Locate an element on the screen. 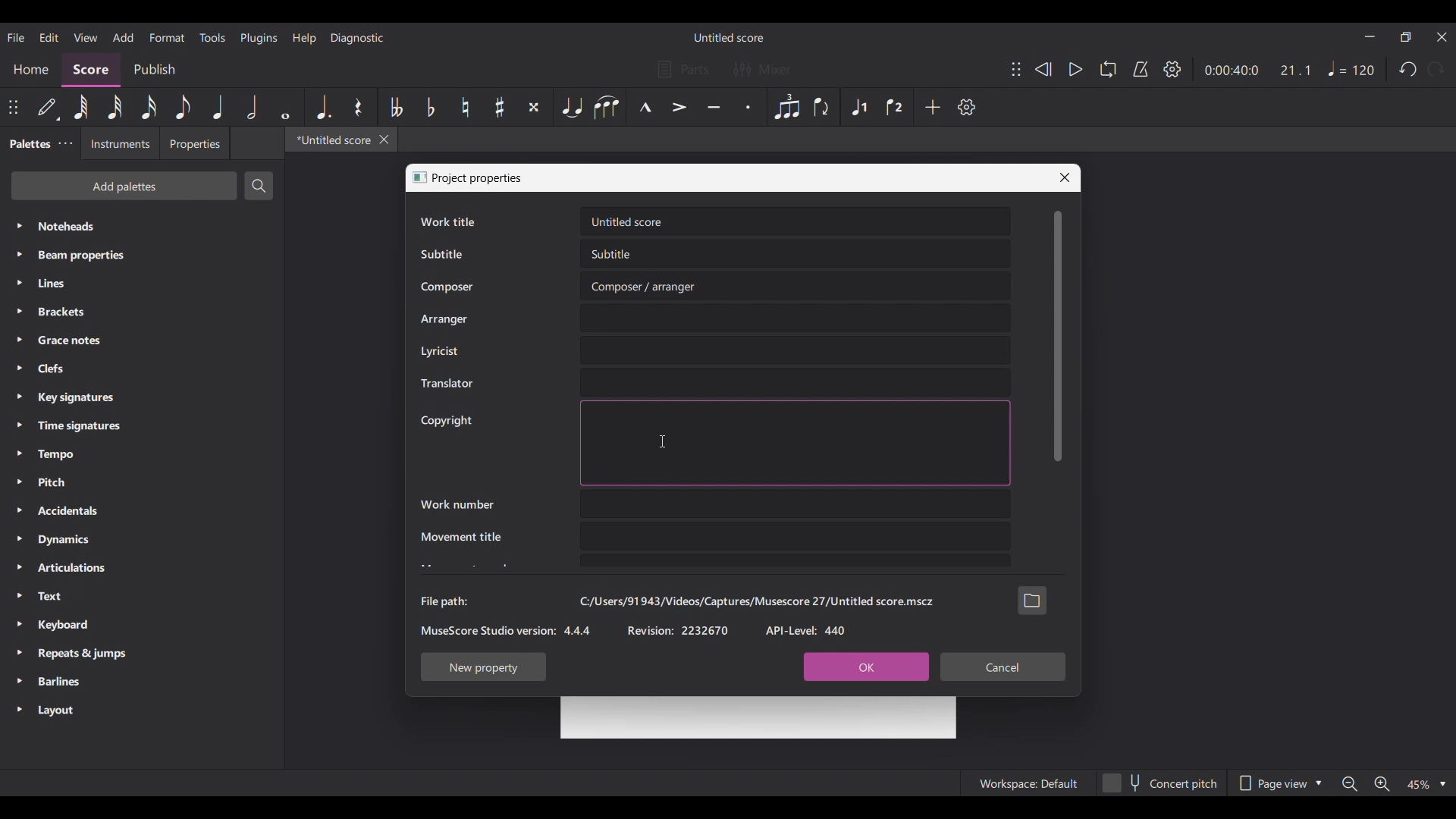 The width and height of the screenshot is (1456, 819). Edit menu is located at coordinates (49, 37).